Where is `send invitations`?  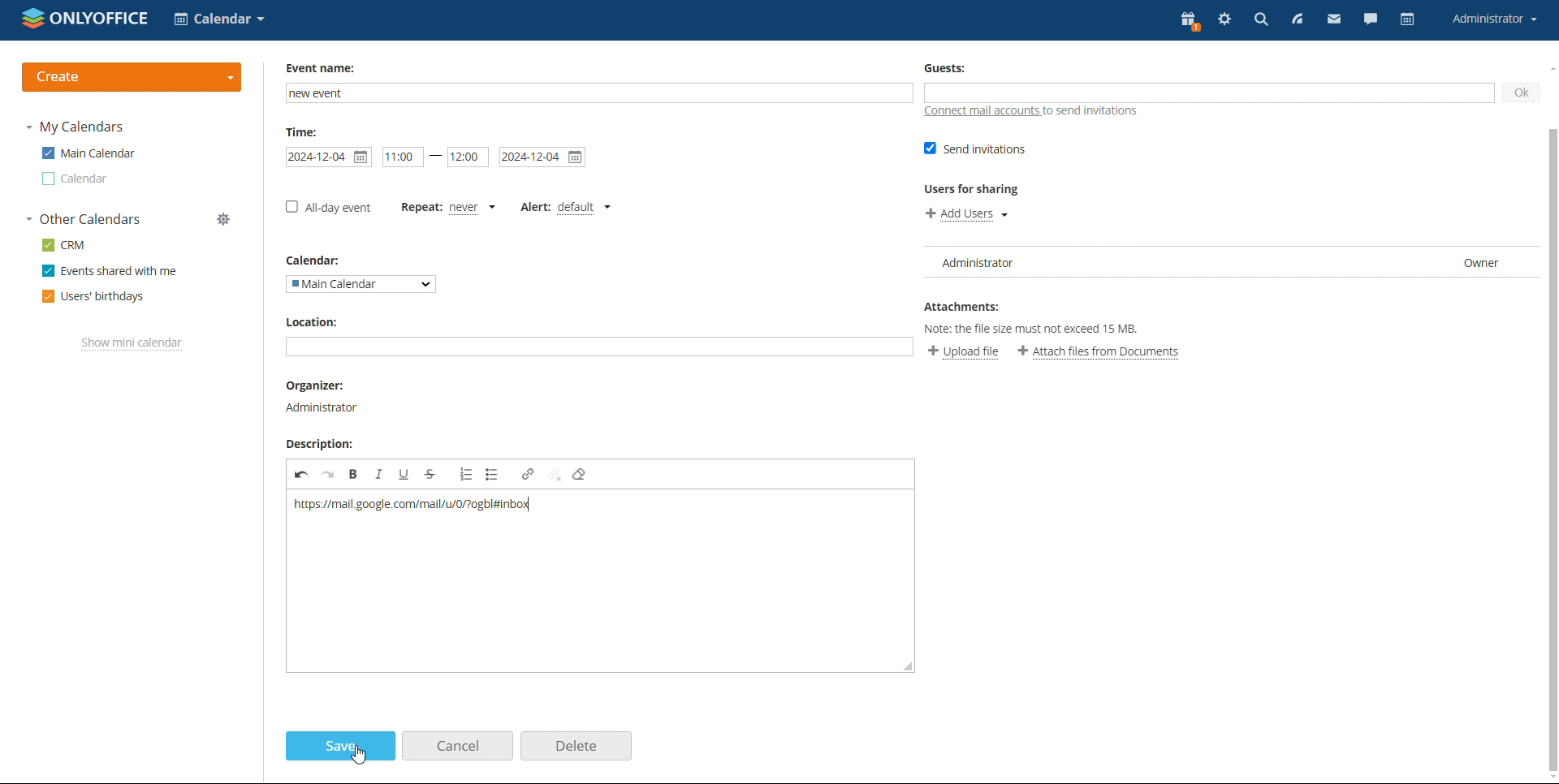 send invitations is located at coordinates (970, 148).